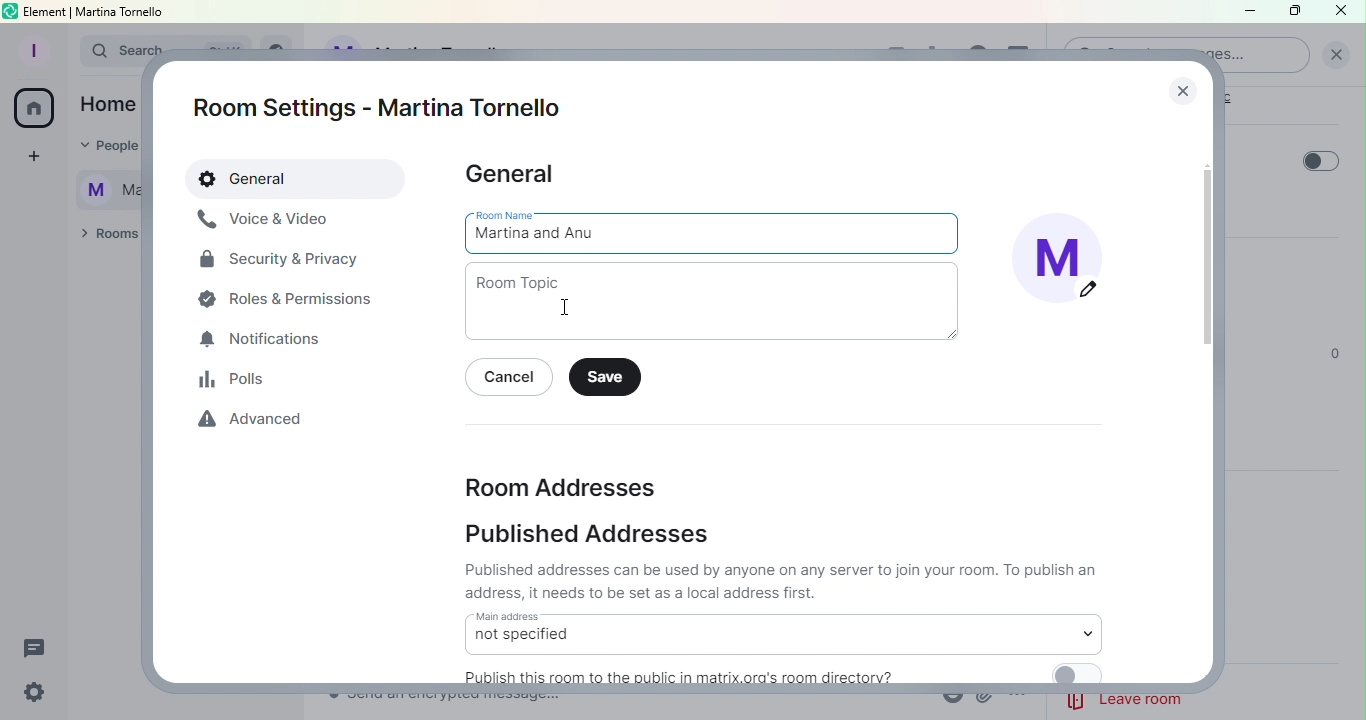  Describe the element at coordinates (1321, 161) in the screenshot. I see `Toggle` at that location.